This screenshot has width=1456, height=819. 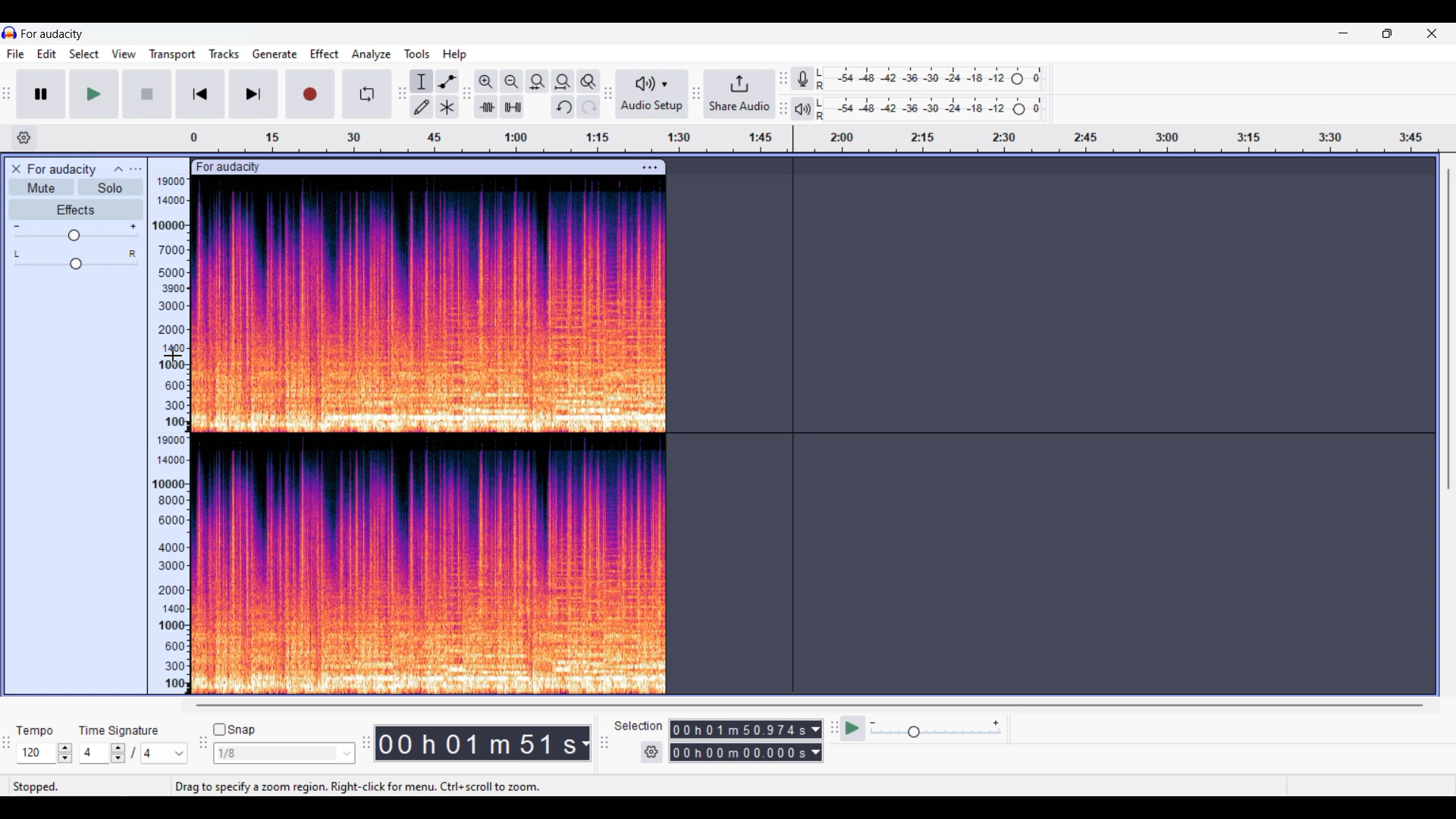 What do you see at coordinates (17, 169) in the screenshot?
I see `Close track` at bounding box center [17, 169].